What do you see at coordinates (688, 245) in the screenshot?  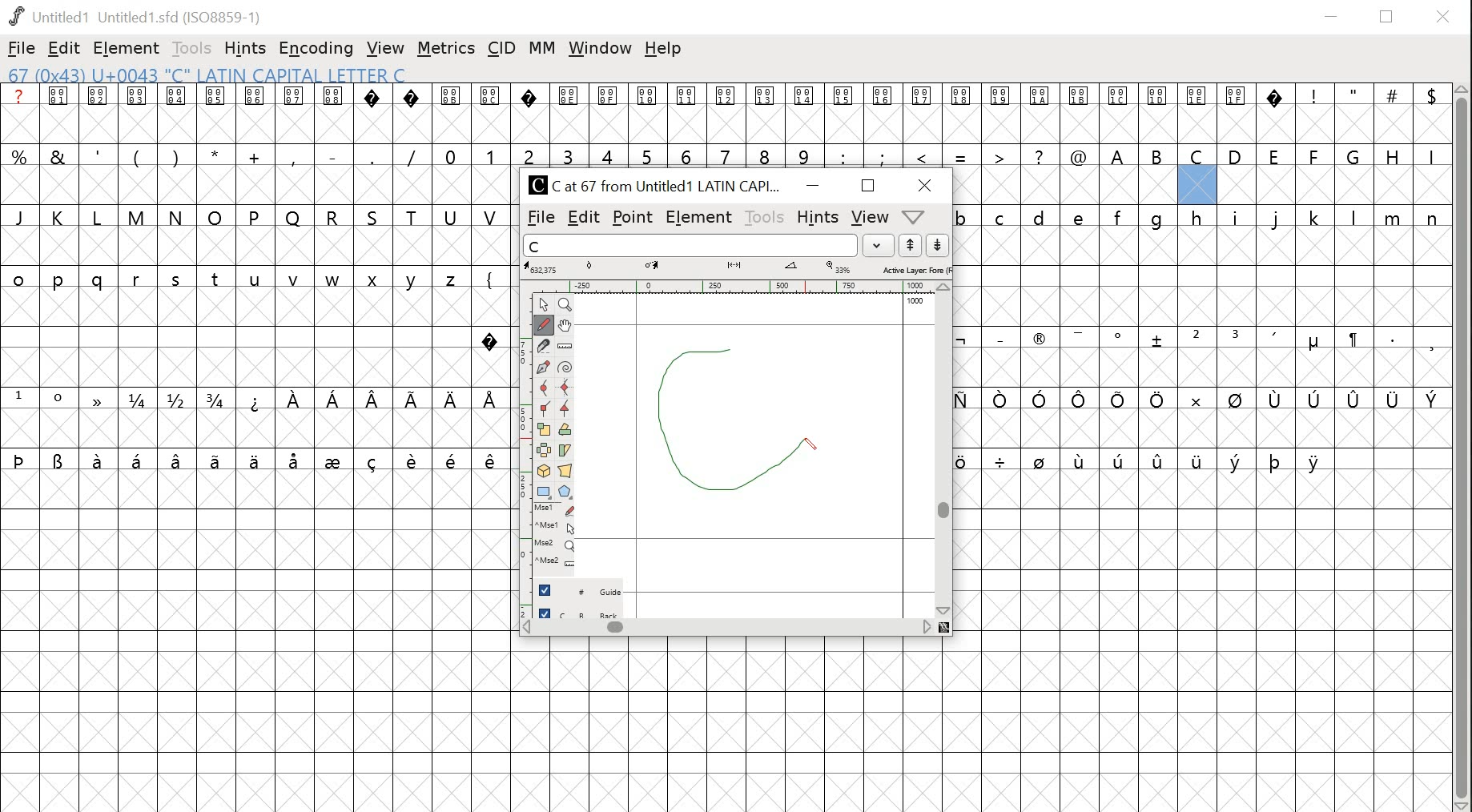 I see `word list input field` at bounding box center [688, 245].